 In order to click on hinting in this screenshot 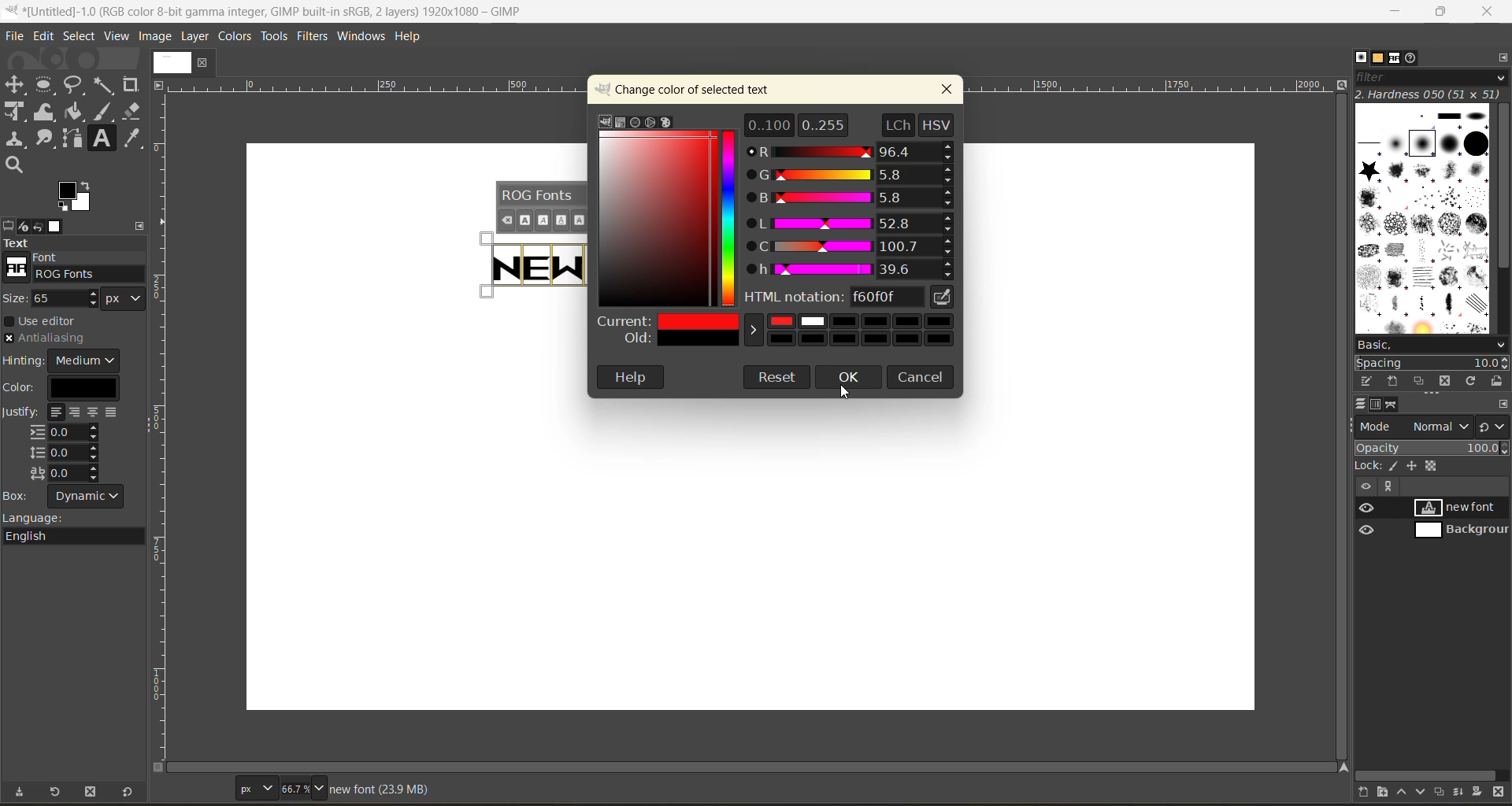, I will do `click(64, 360)`.